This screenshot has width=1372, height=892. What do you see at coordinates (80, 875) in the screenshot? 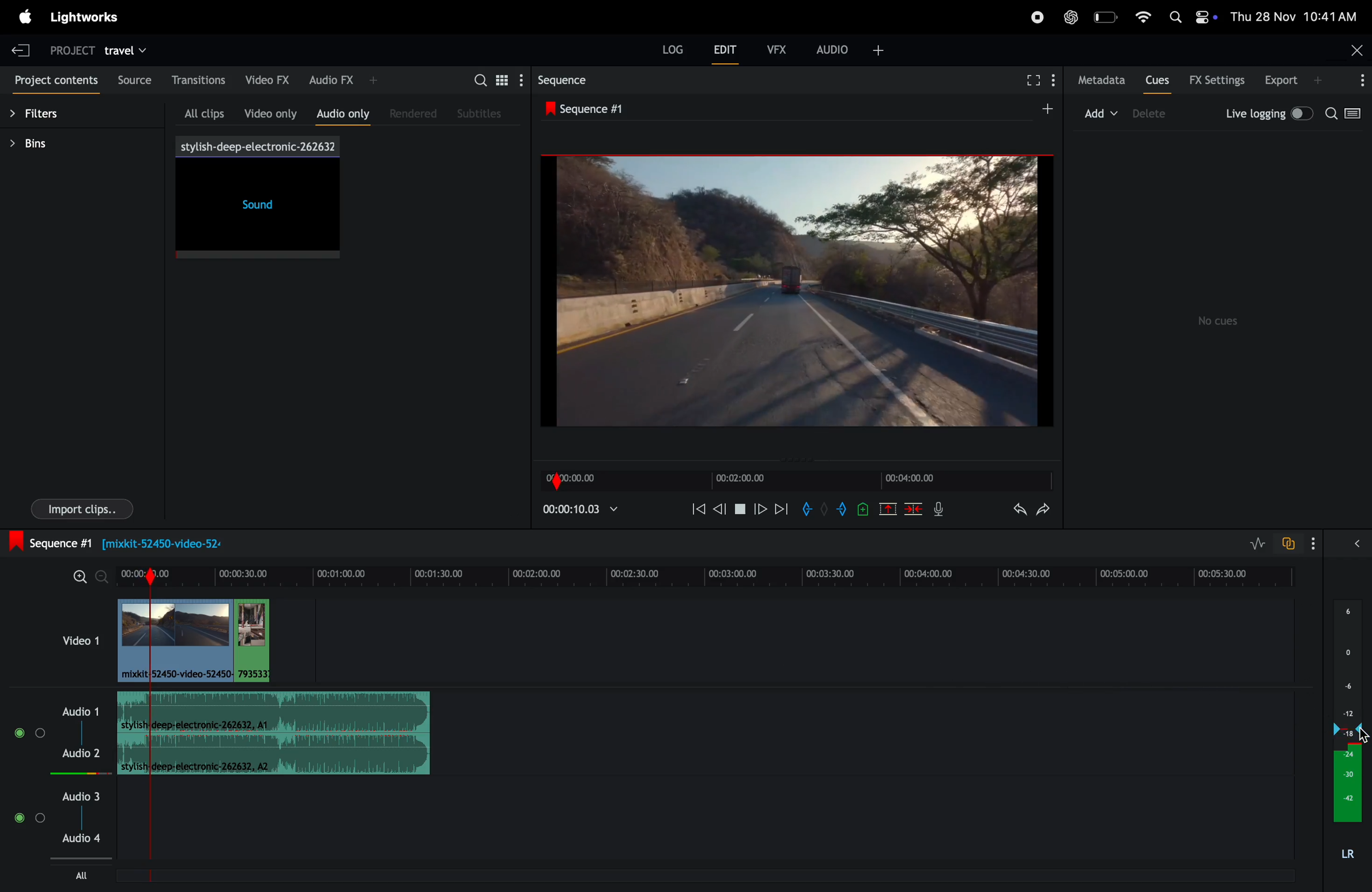
I see `All` at bounding box center [80, 875].